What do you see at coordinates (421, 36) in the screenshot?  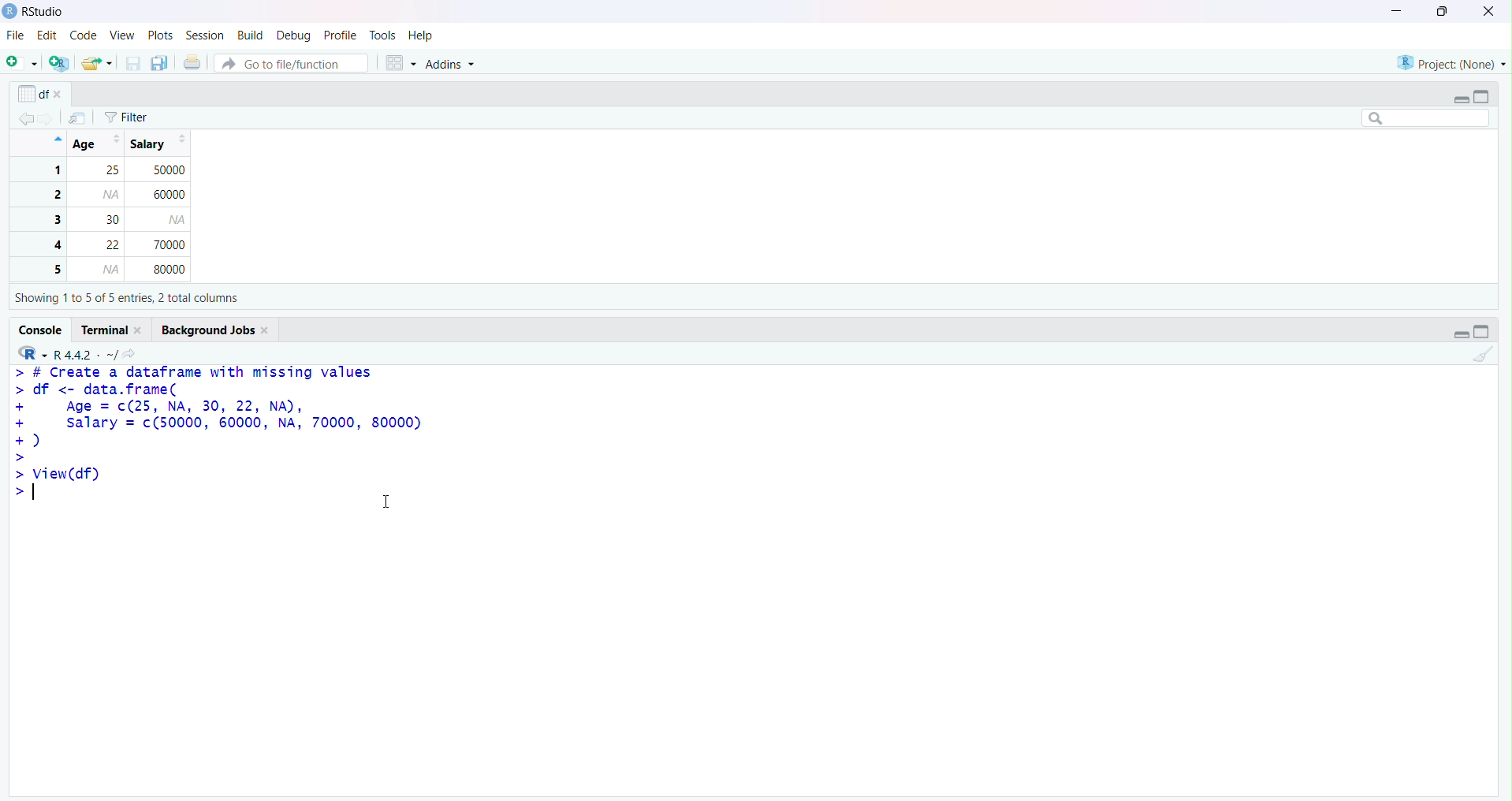 I see `Help` at bounding box center [421, 36].